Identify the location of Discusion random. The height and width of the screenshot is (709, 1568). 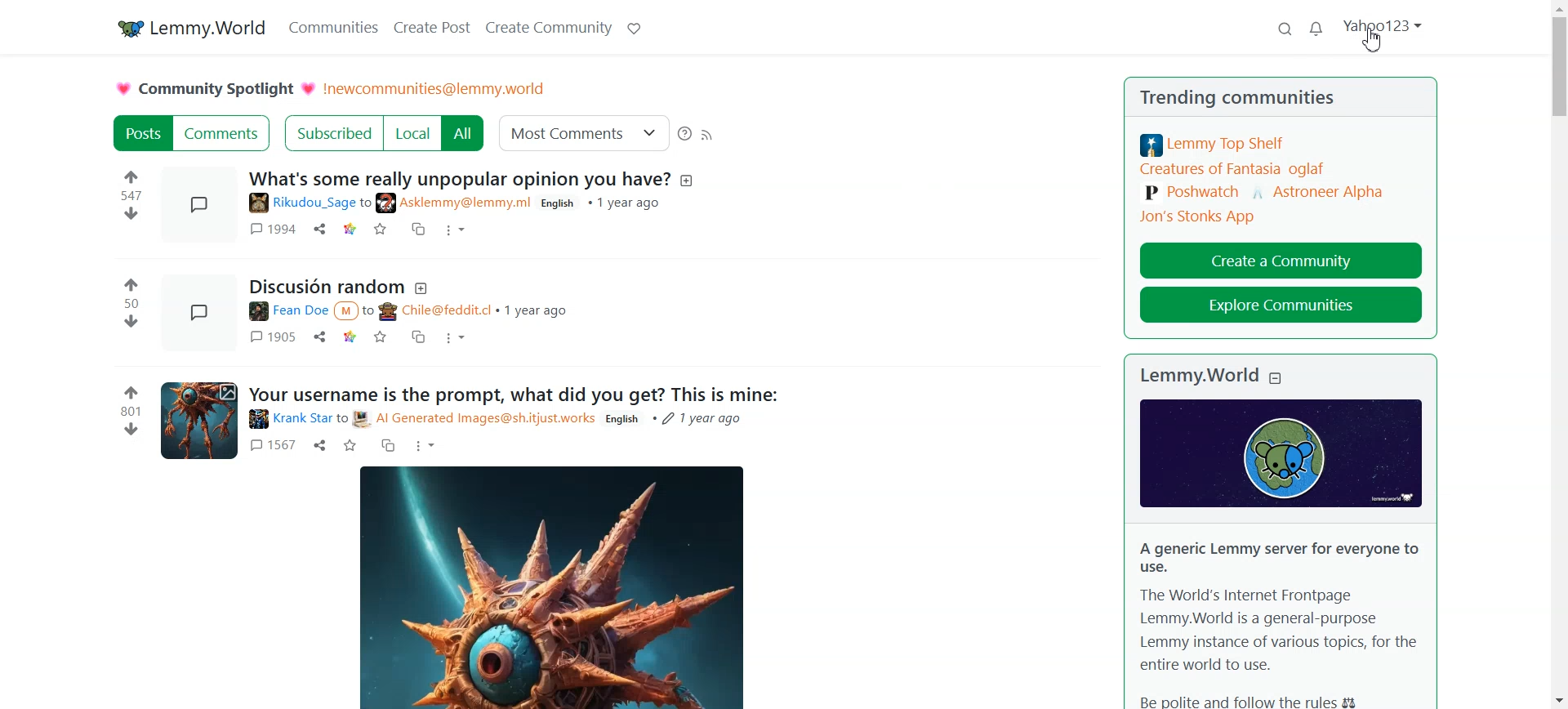
(325, 288).